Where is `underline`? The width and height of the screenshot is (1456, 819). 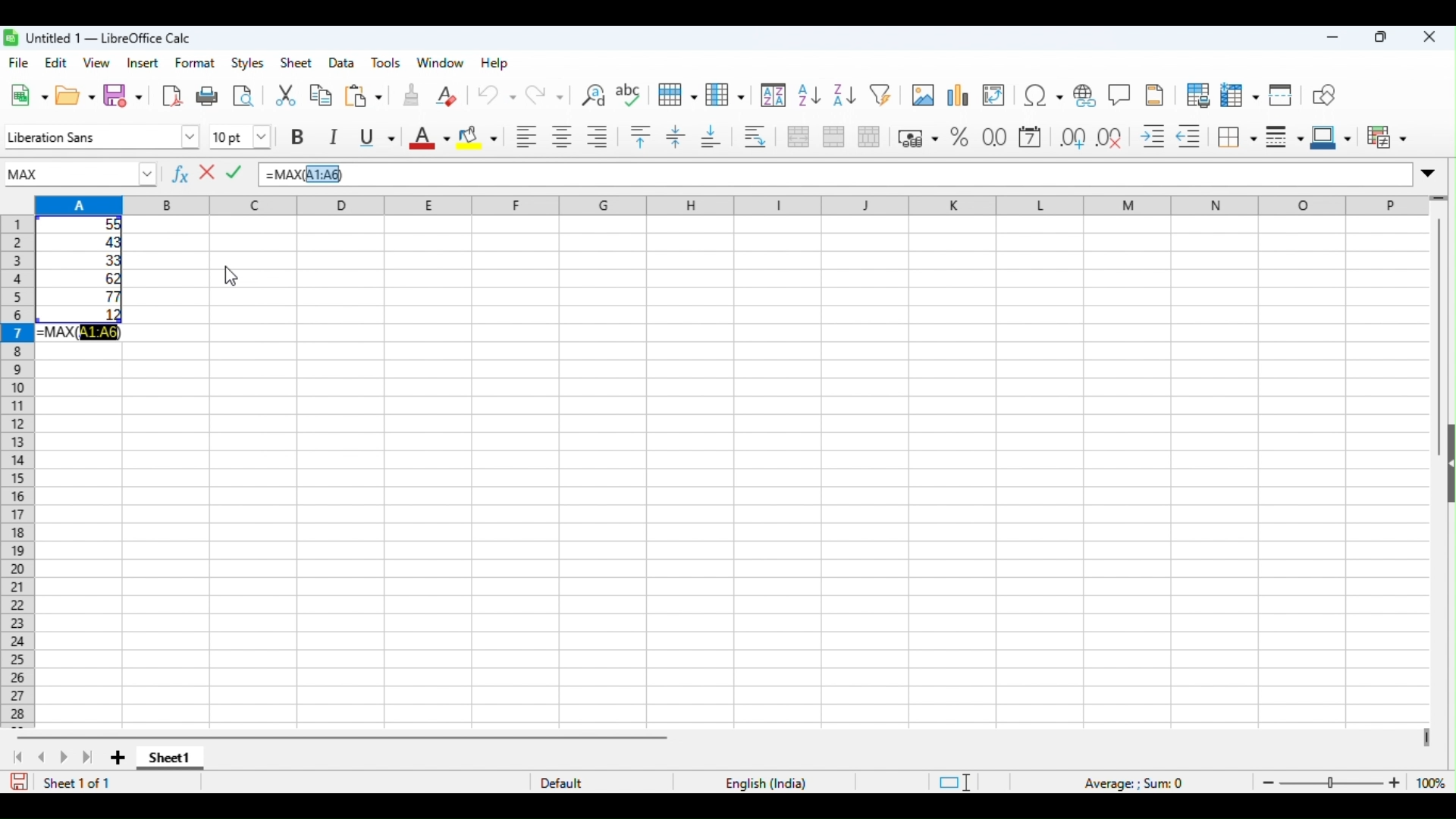 underline is located at coordinates (379, 137).